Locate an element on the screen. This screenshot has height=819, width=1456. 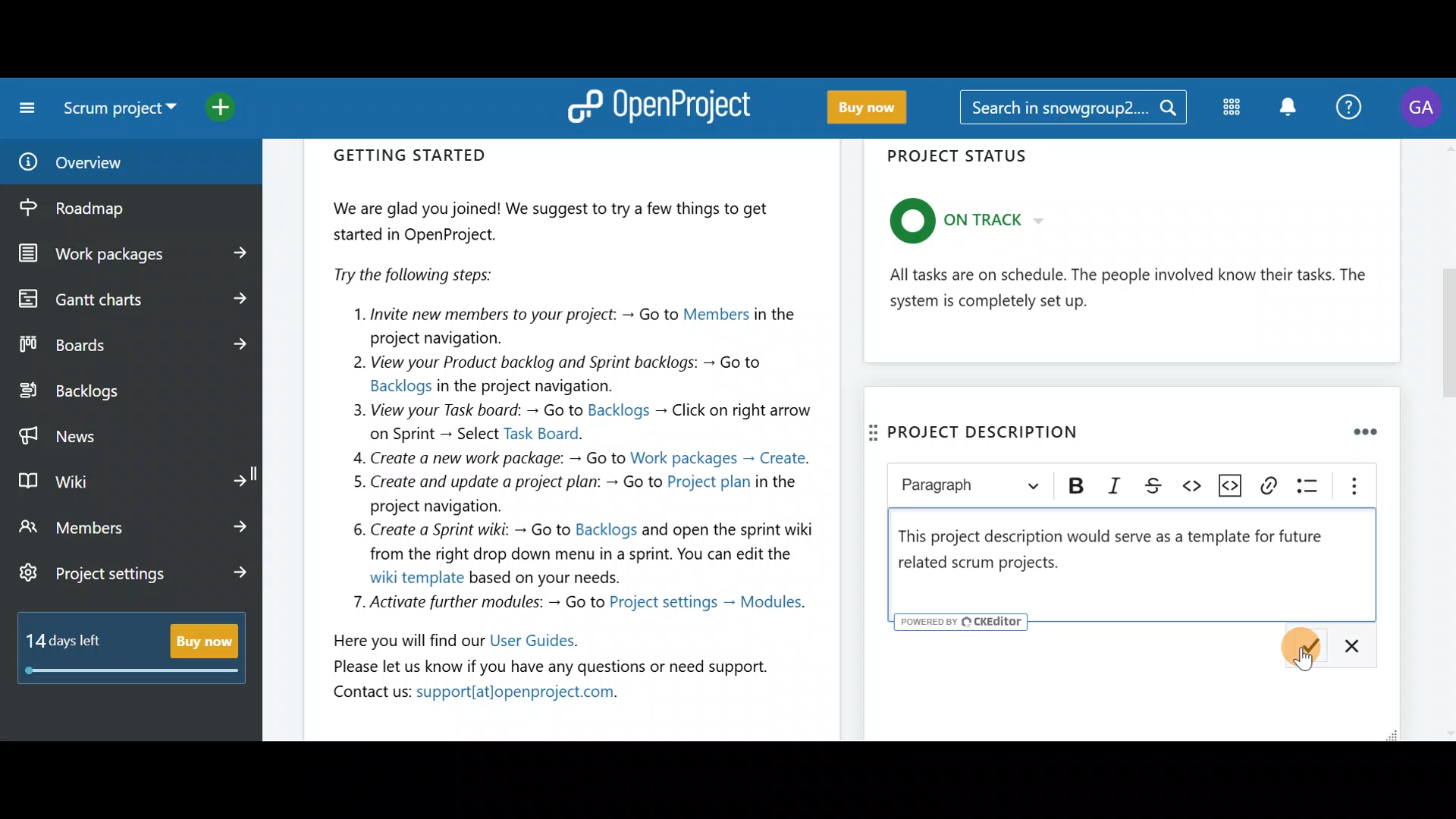
Boards is located at coordinates (131, 344).